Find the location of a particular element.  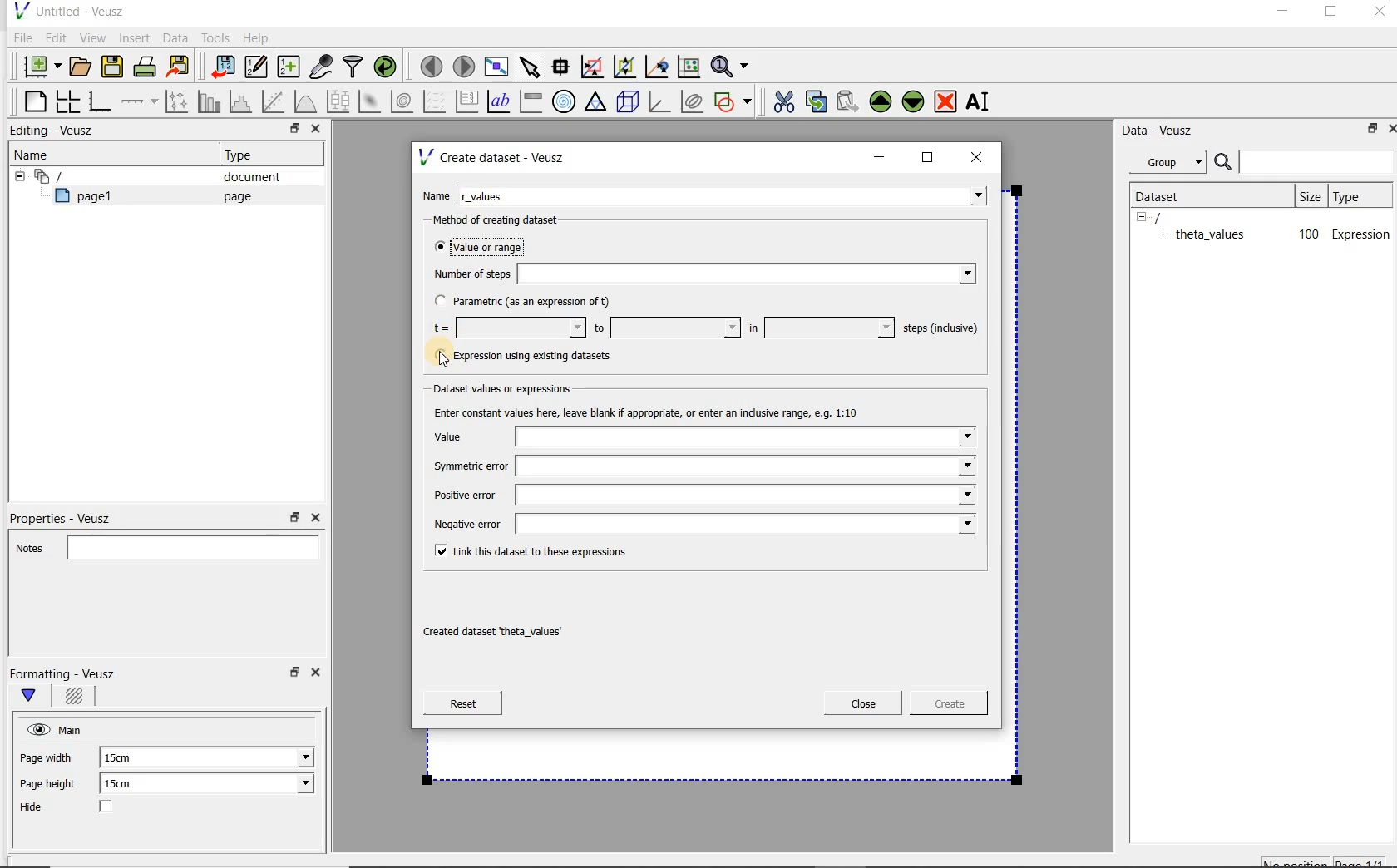

Positive error is located at coordinates (698, 499).